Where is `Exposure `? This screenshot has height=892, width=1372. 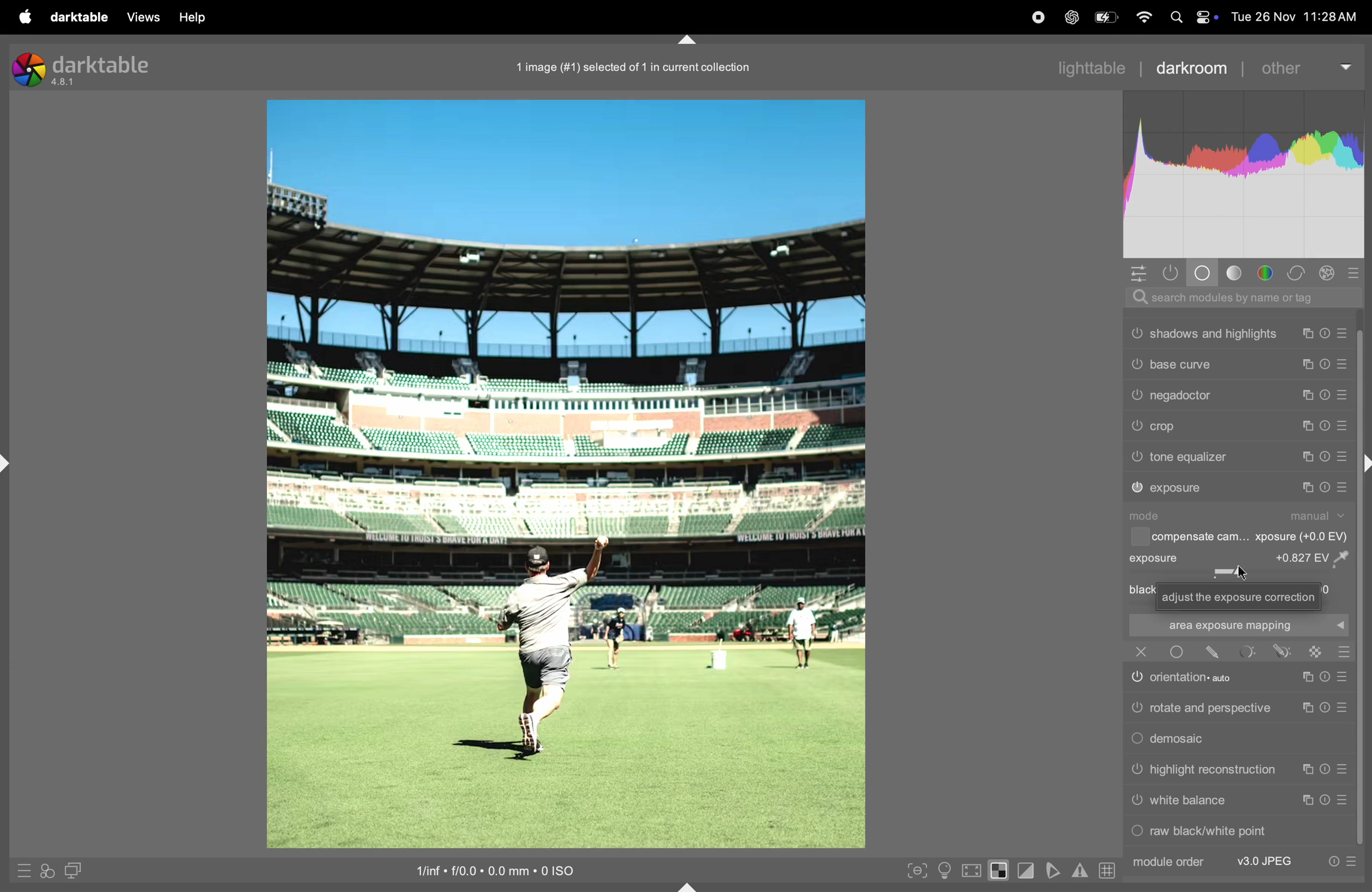 Exposure  is located at coordinates (1155, 558).